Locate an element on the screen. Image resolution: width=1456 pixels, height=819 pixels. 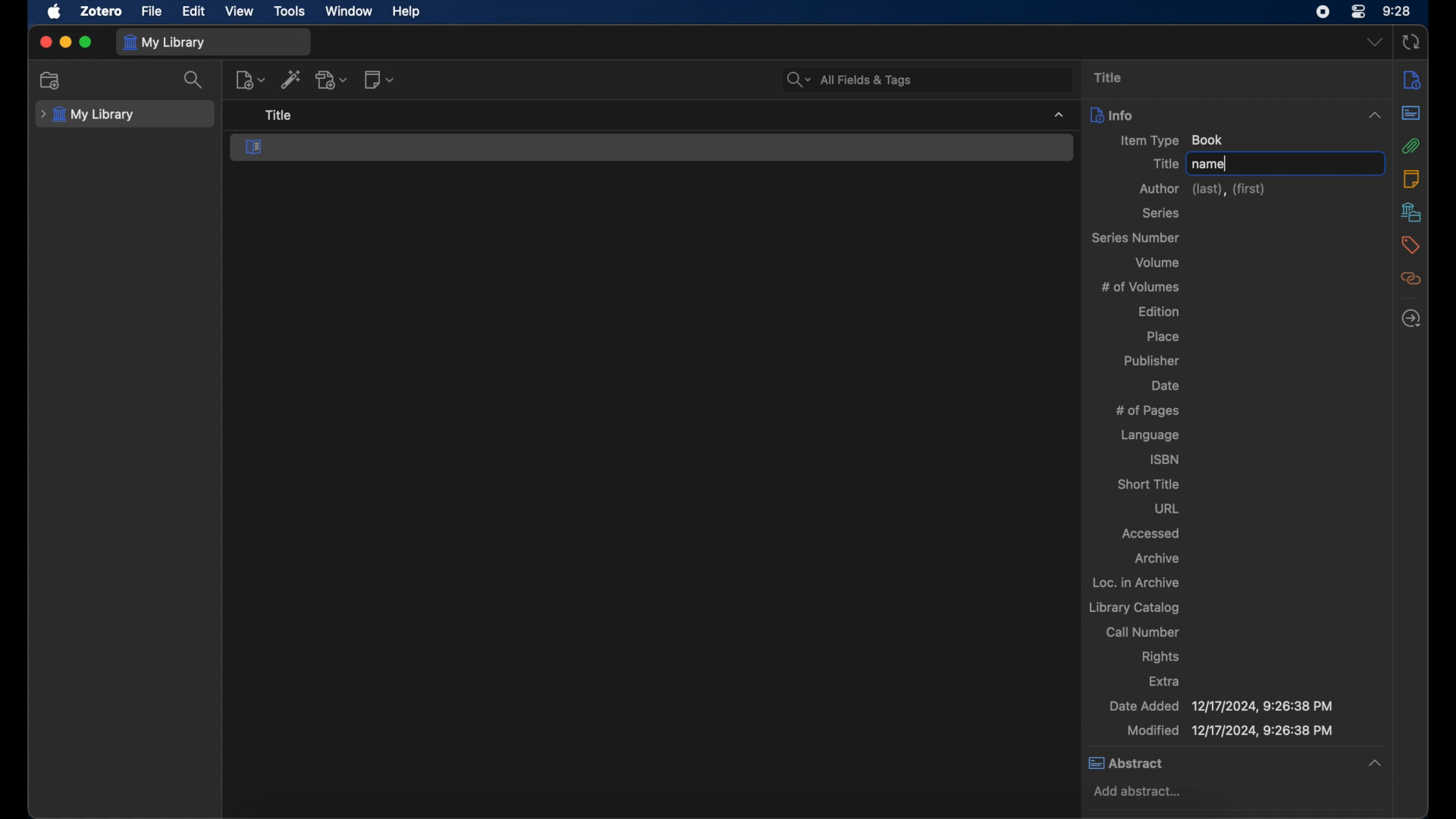
add item by identifier is located at coordinates (290, 79).